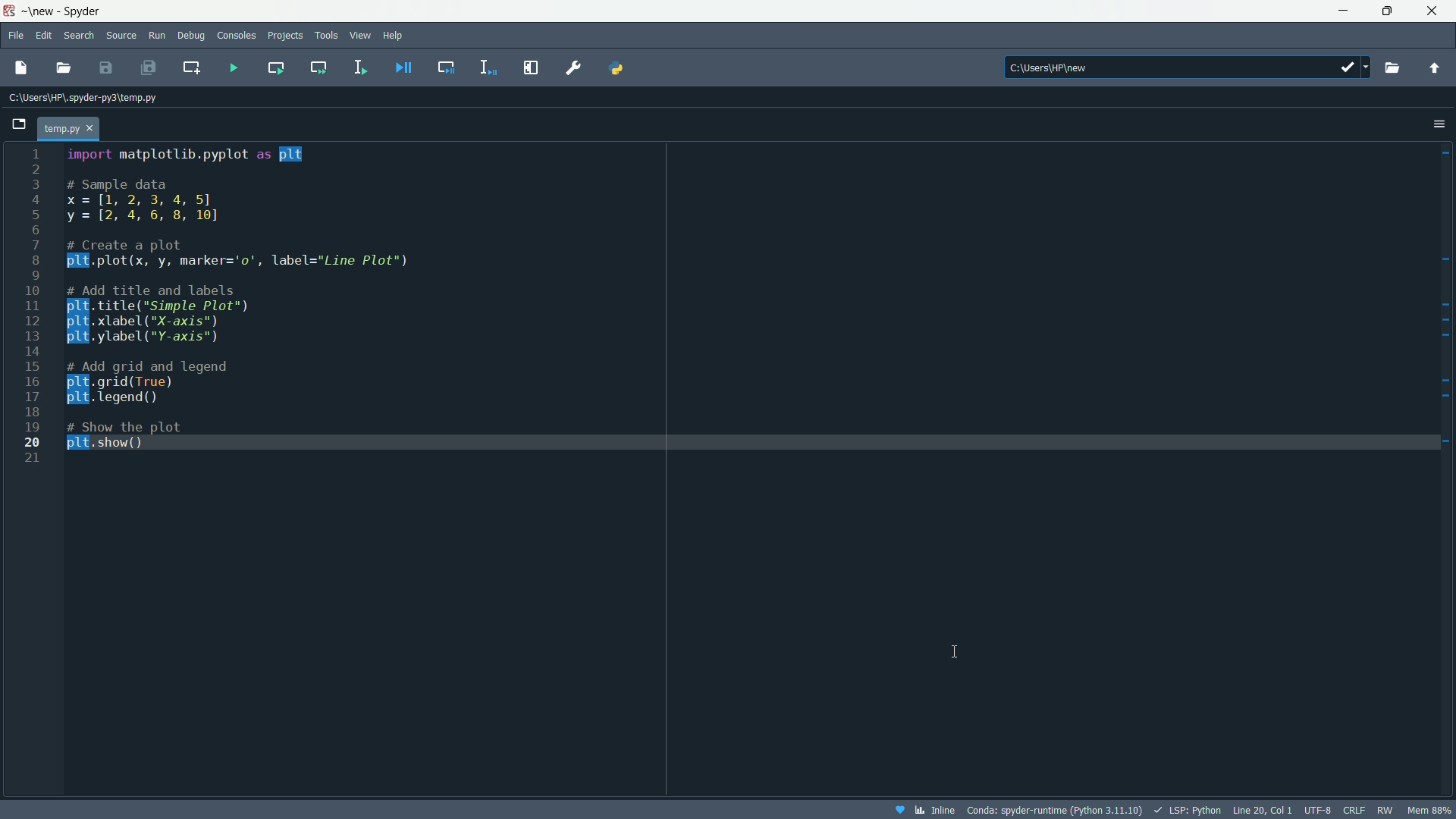 The width and height of the screenshot is (1456, 819). Describe the element at coordinates (1436, 11) in the screenshot. I see `close app` at that location.